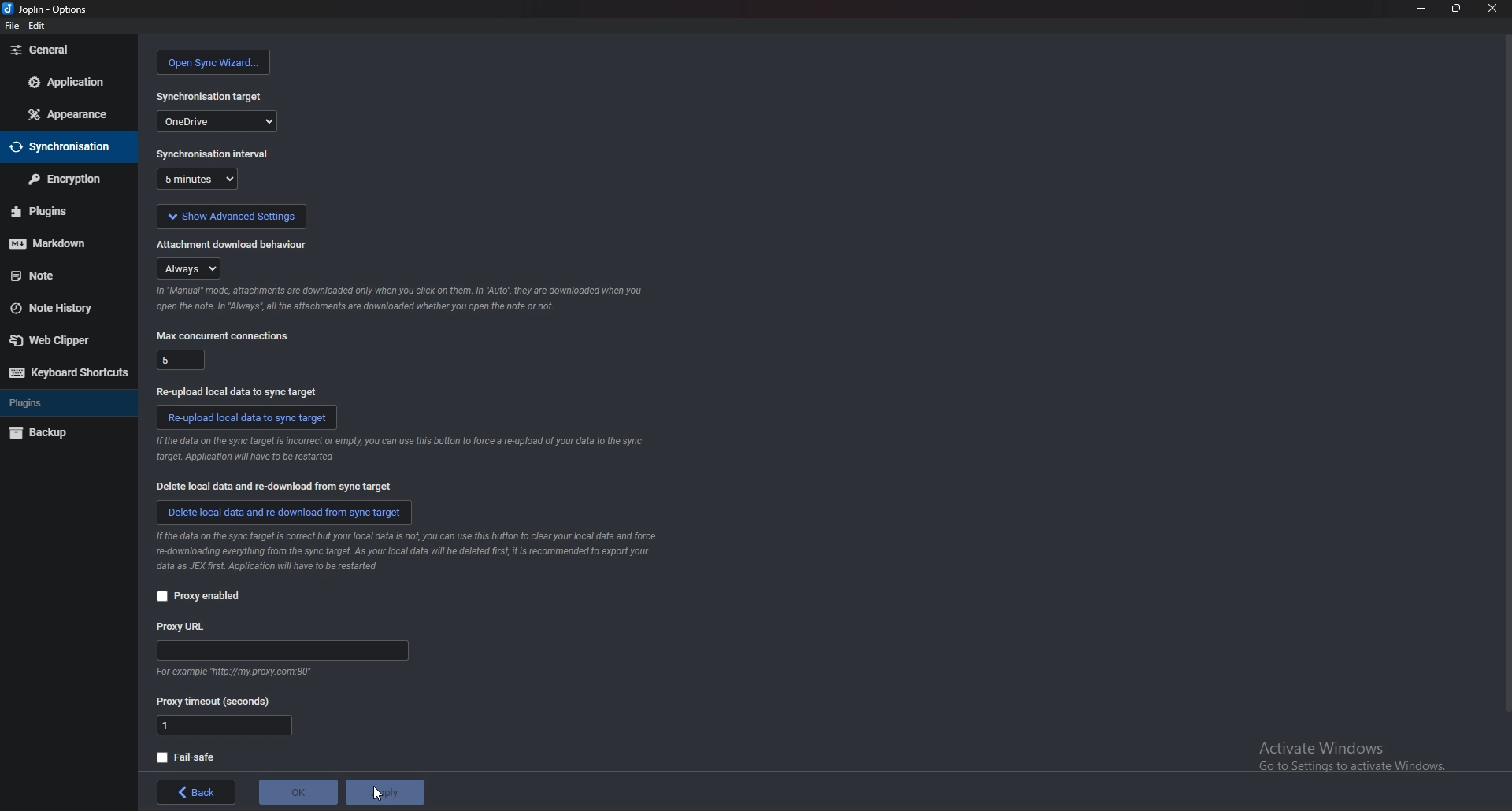 The height and width of the screenshot is (811, 1512). Describe the element at coordinates (71, 113) in the screenshot. I see `appearance` at that location.